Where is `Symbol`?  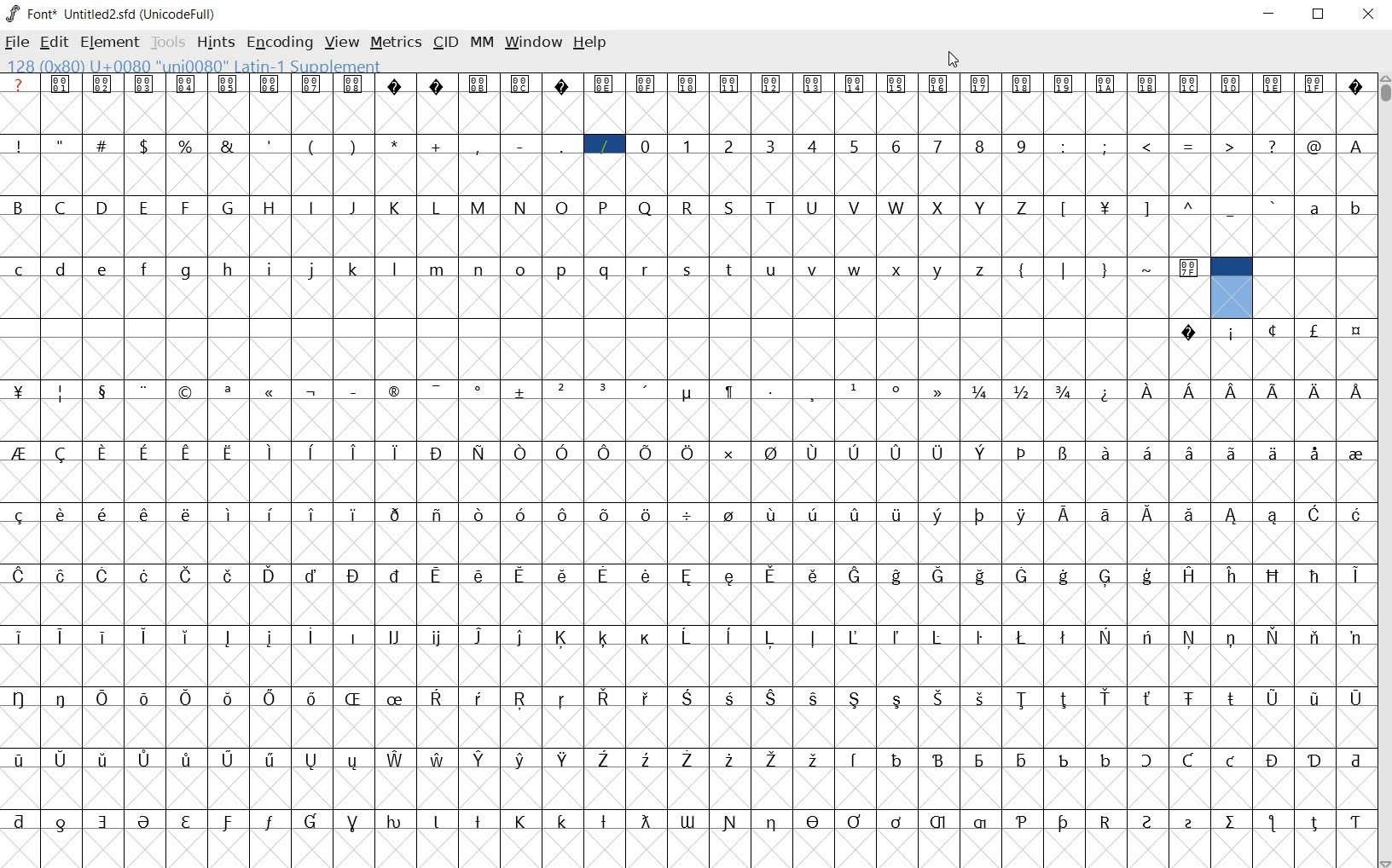
Symbol is located at coordinates (104, 84).